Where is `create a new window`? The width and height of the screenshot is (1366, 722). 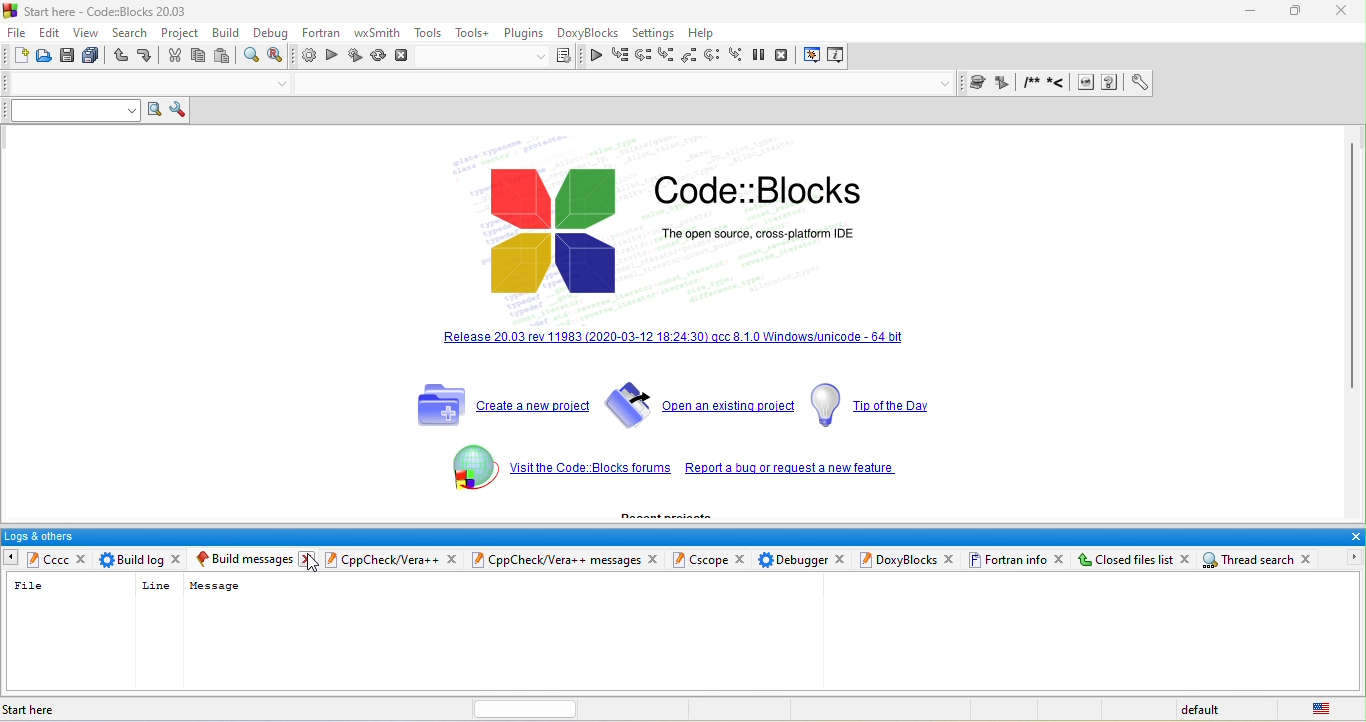 create a new window is located at coordinates (495, 401).